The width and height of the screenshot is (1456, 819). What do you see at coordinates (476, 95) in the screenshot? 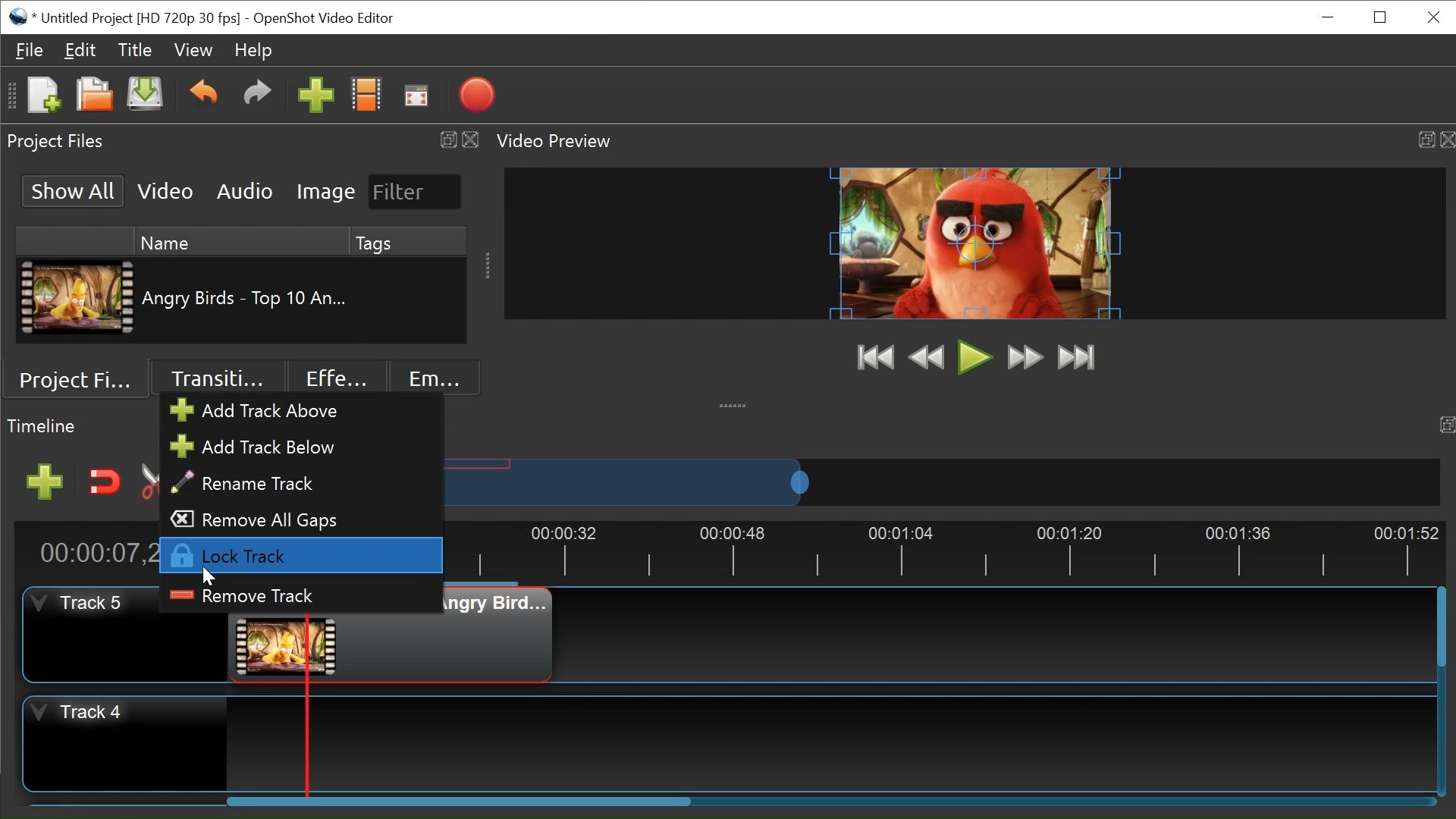
I see `Export Video` at bounding box center [476, 95].